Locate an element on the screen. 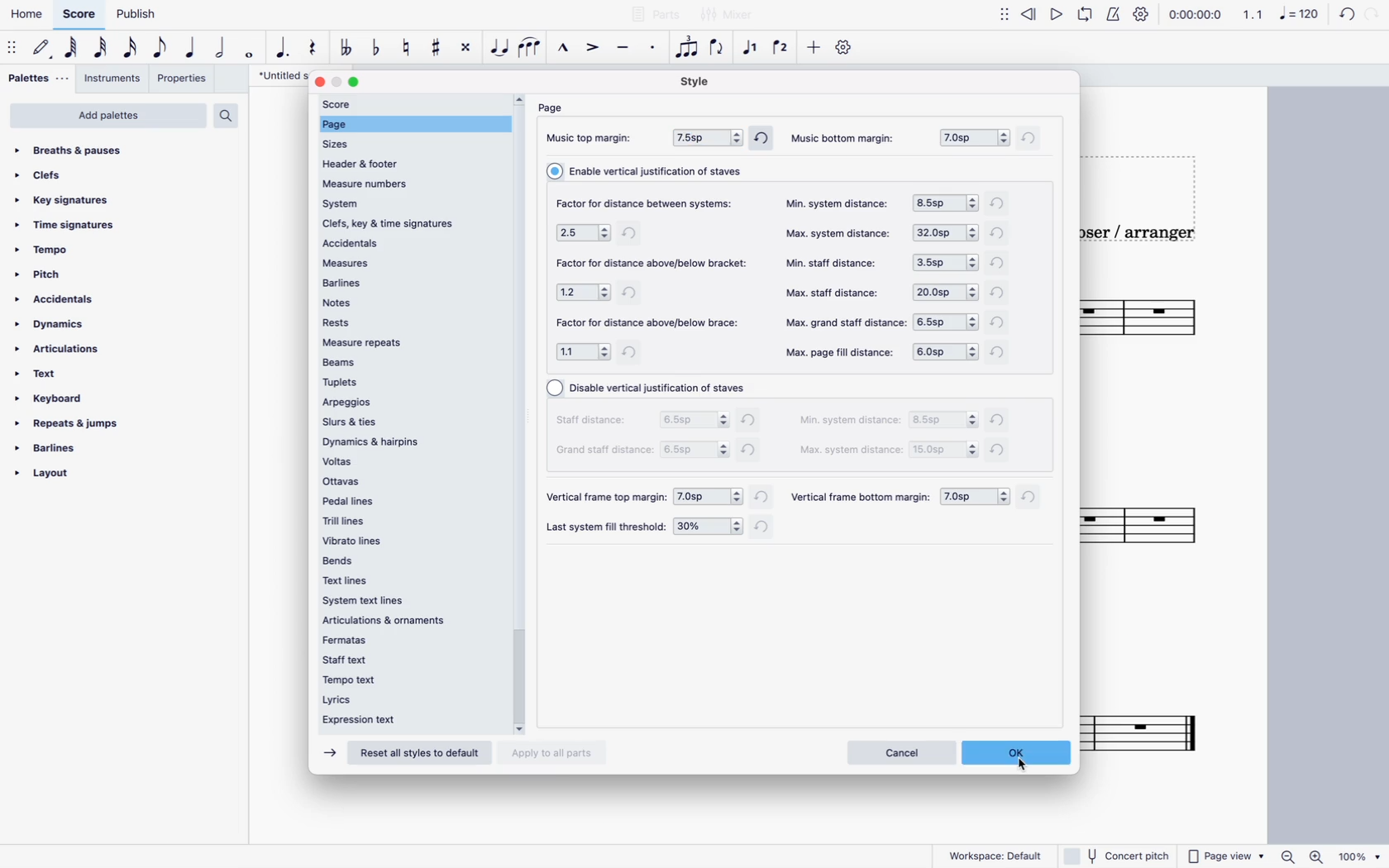 This screenshot has width=1389, height=868. voice 2 is located at coordinates (783, 48).